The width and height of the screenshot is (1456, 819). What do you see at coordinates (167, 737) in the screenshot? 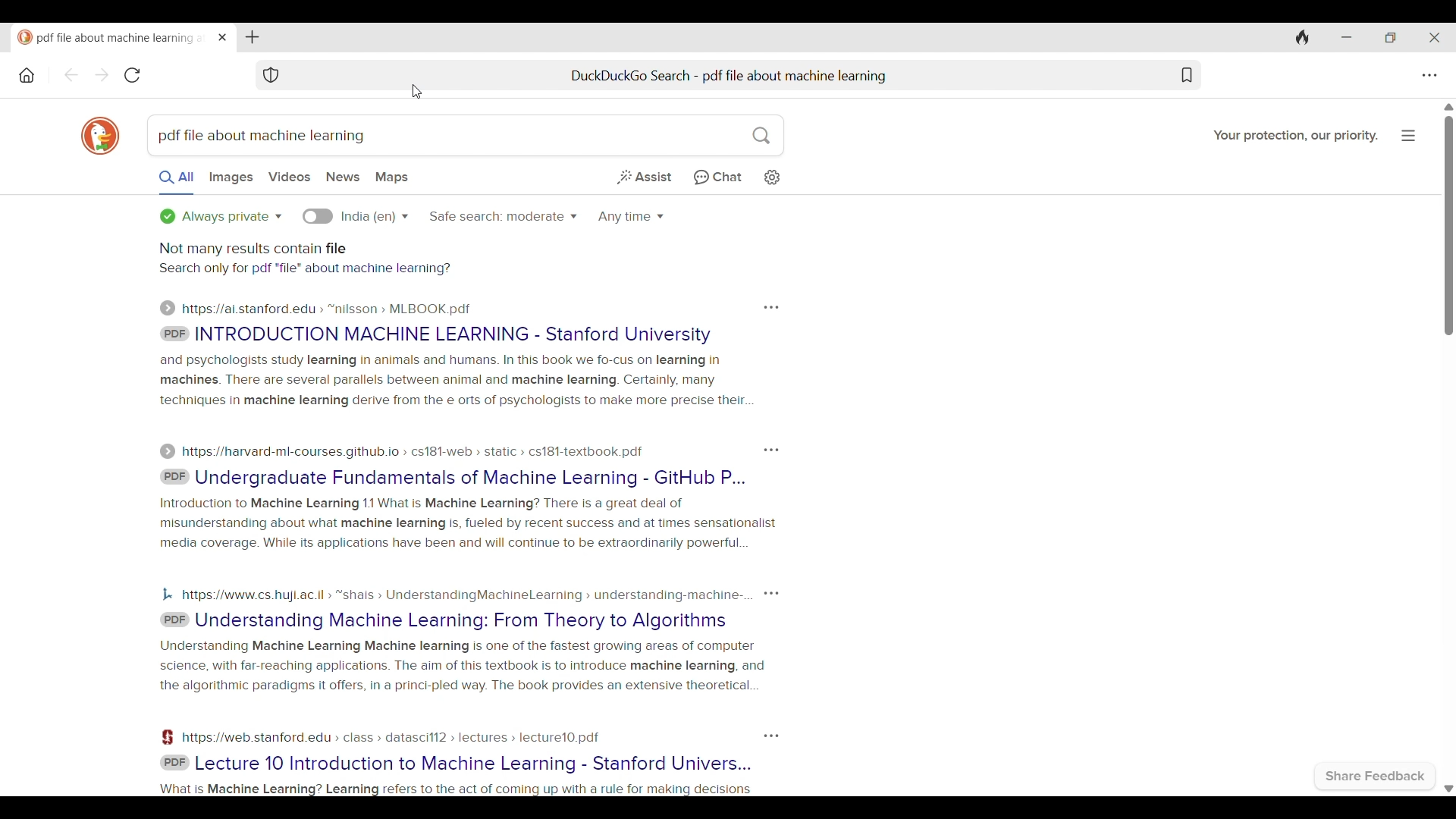
I see `Site logo` at bounding box center [167, 737].